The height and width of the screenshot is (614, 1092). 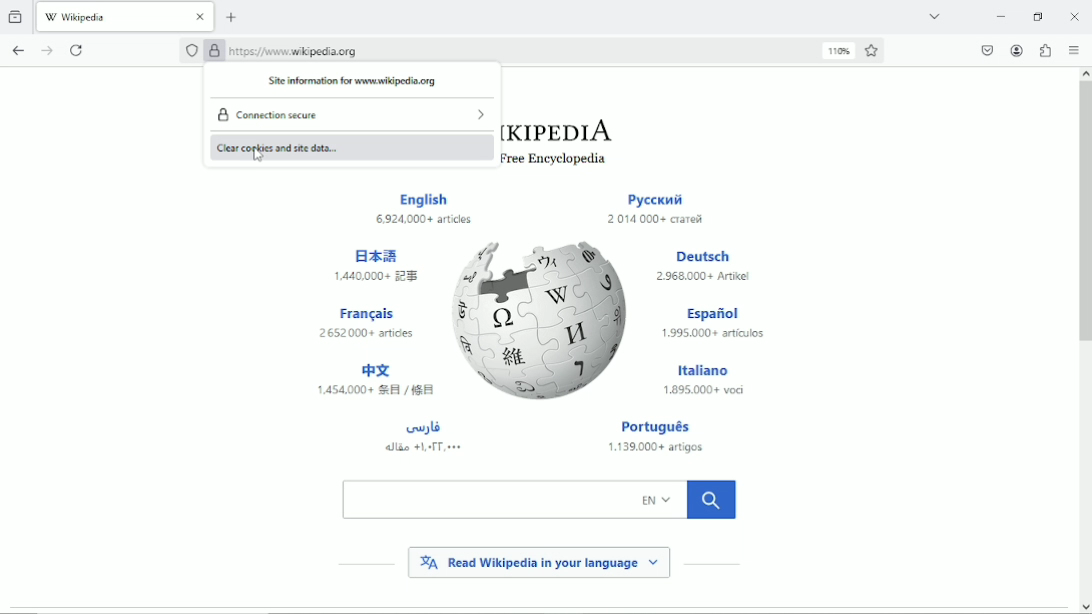 What do you see at coordinates (1083, 214) in the screenshot?
I see `vertical scrollbar` at bounding box center [1083, 214].